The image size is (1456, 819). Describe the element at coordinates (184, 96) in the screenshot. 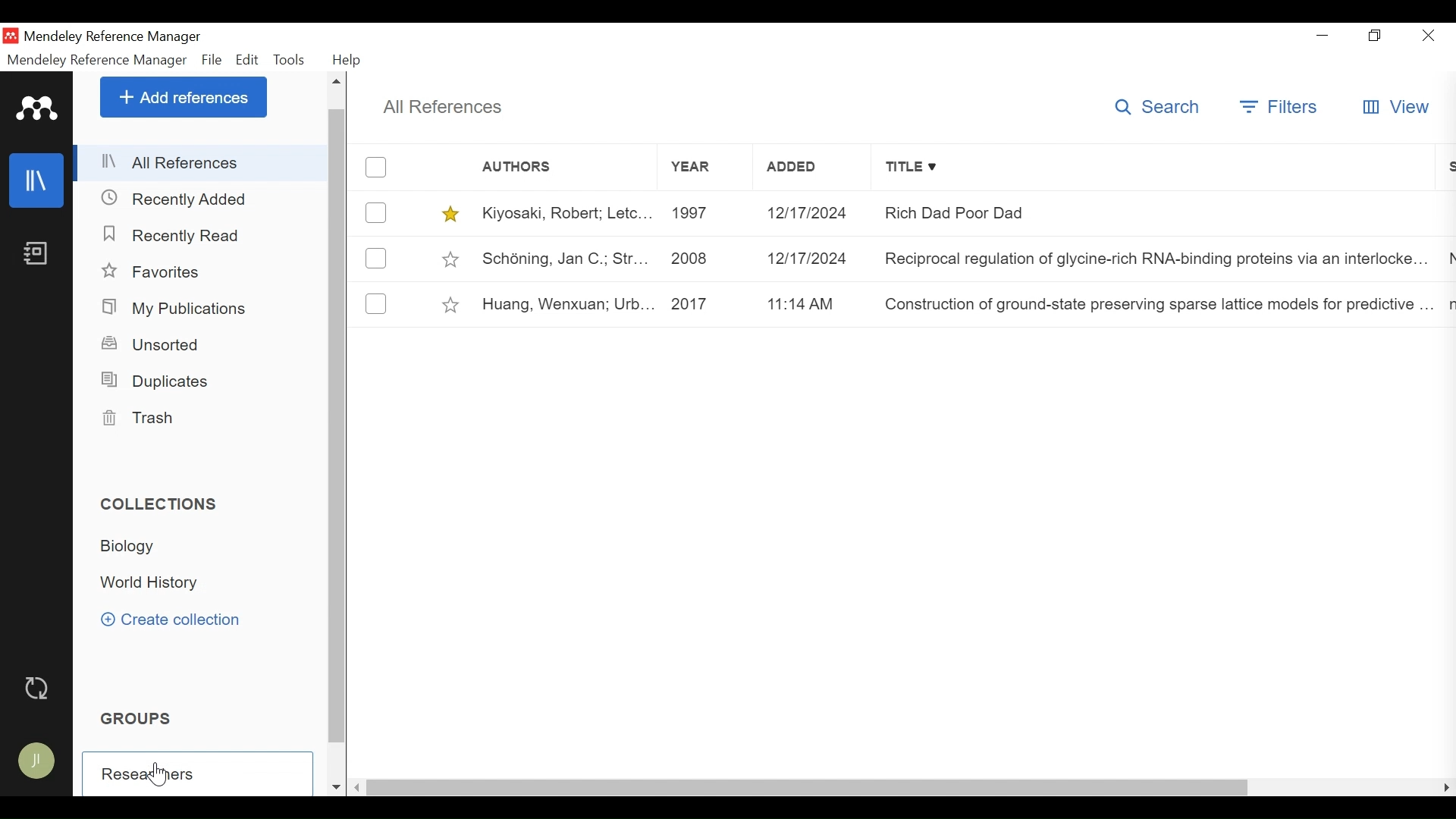

I see `Add References` at that location.